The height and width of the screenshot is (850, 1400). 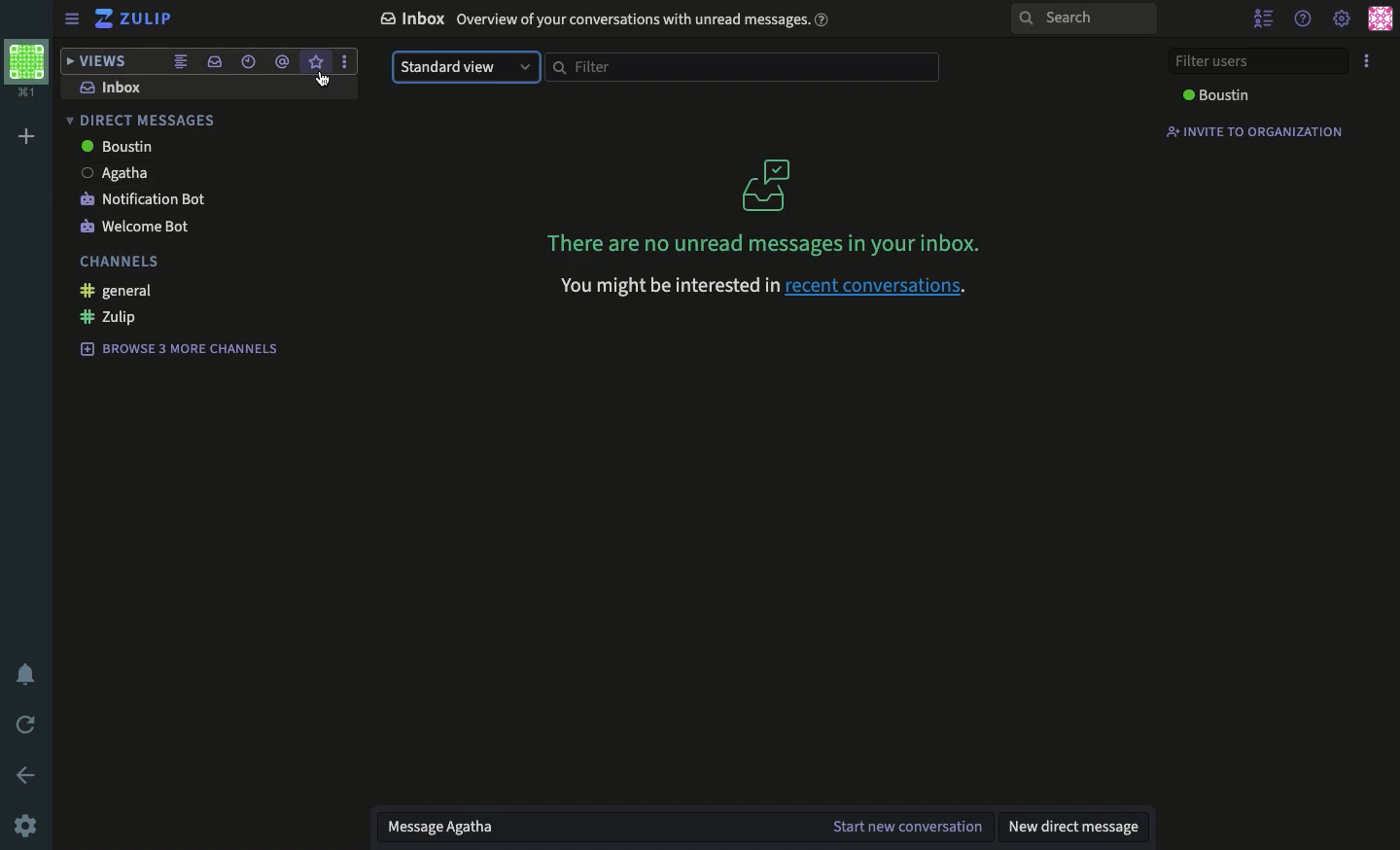 I want to click on back, so click(x=30, y=773).